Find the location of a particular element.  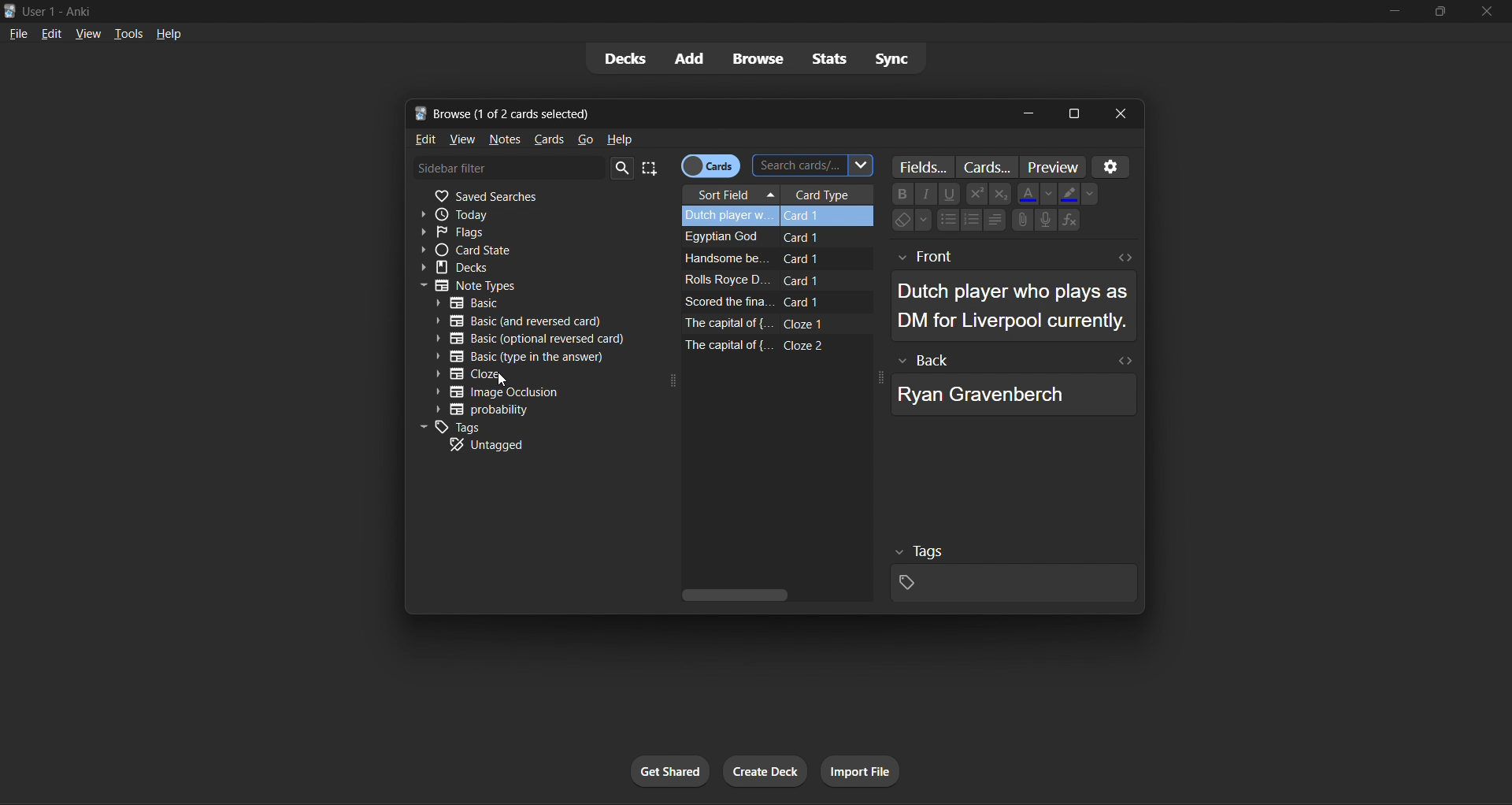

notes type filter is located at coordinates (539, 284).